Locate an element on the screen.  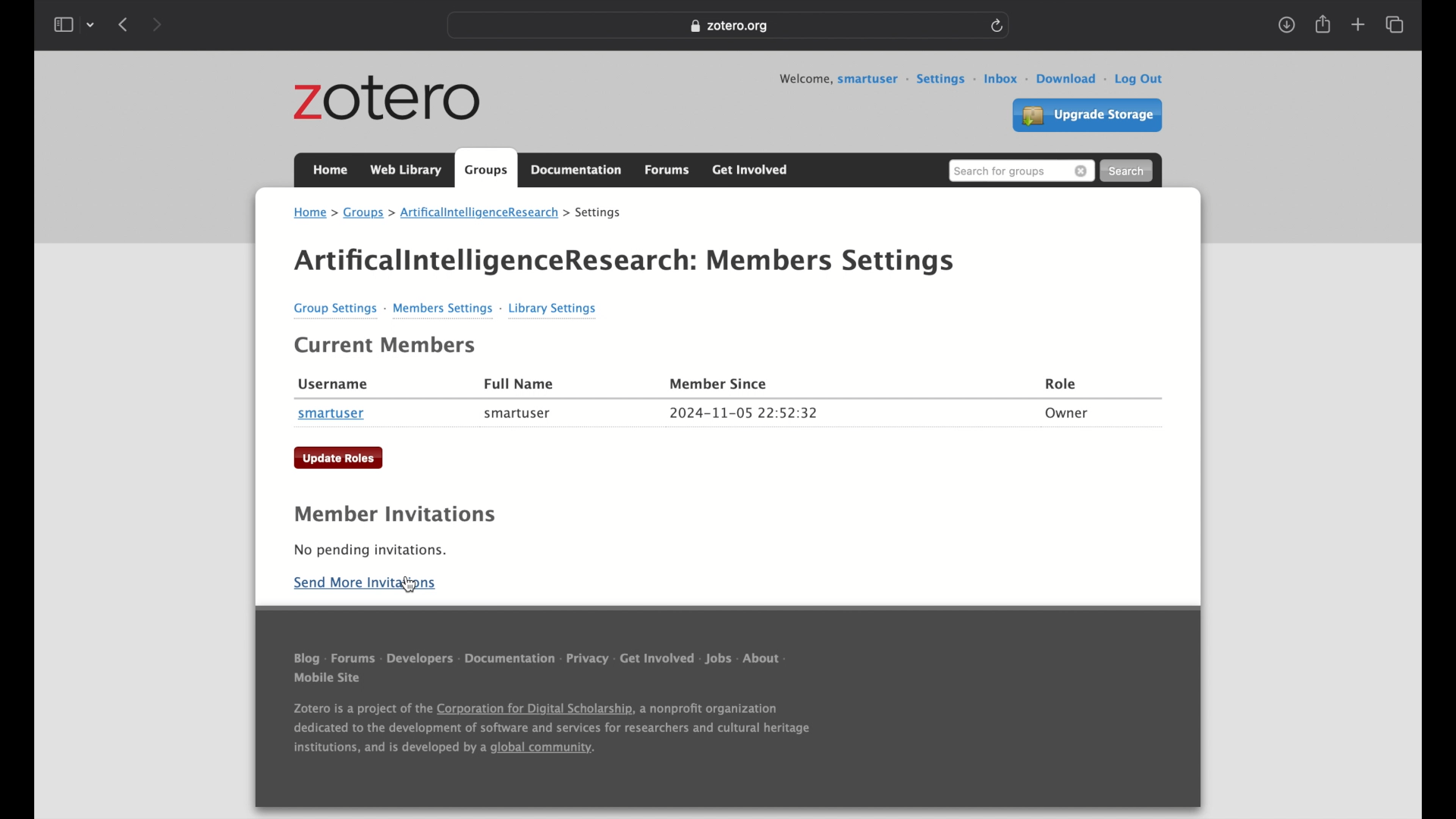
get involved is located at coordinates (751, 170).